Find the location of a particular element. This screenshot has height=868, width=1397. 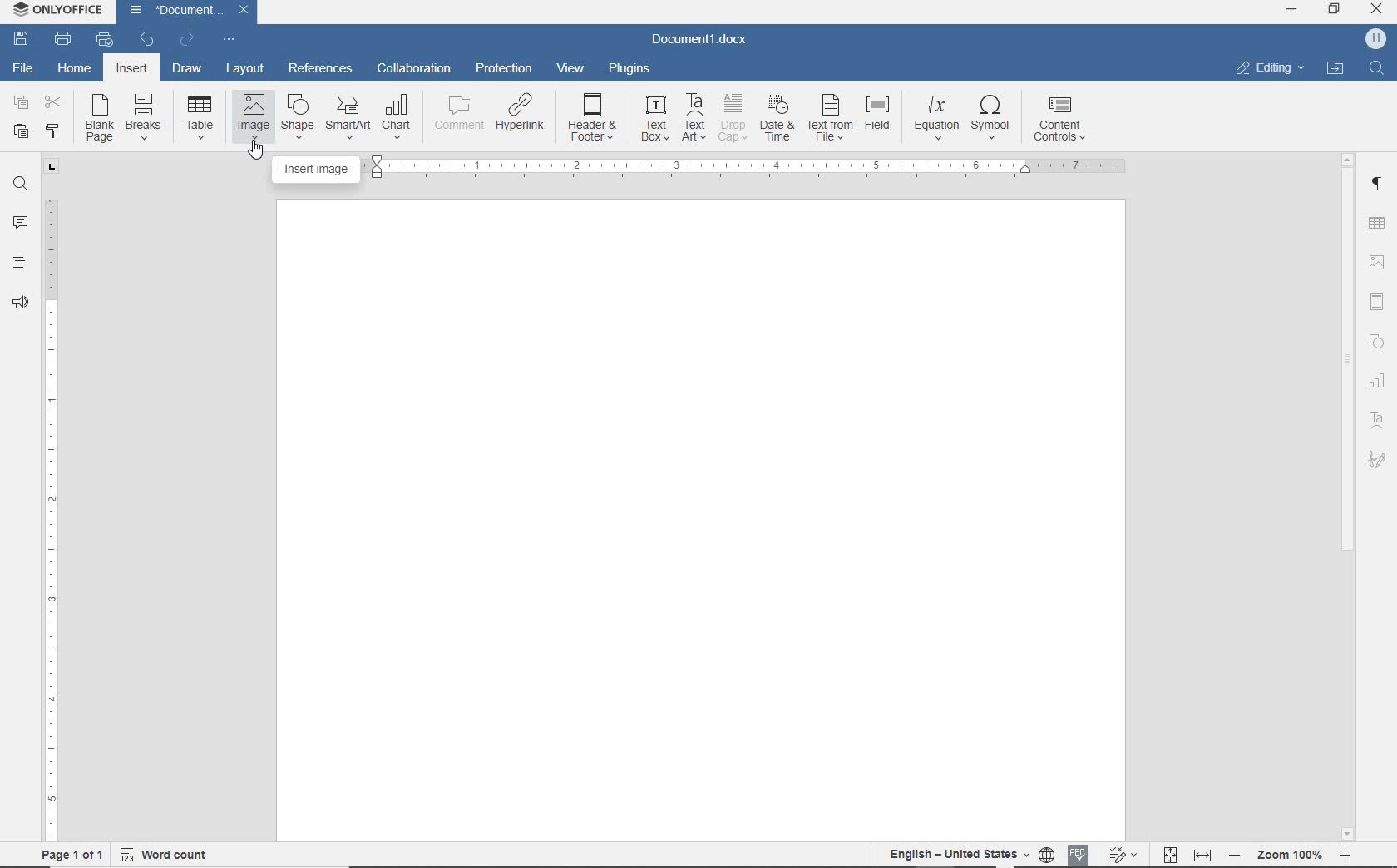

Document1(document name) is located at coordinates (191, 11).